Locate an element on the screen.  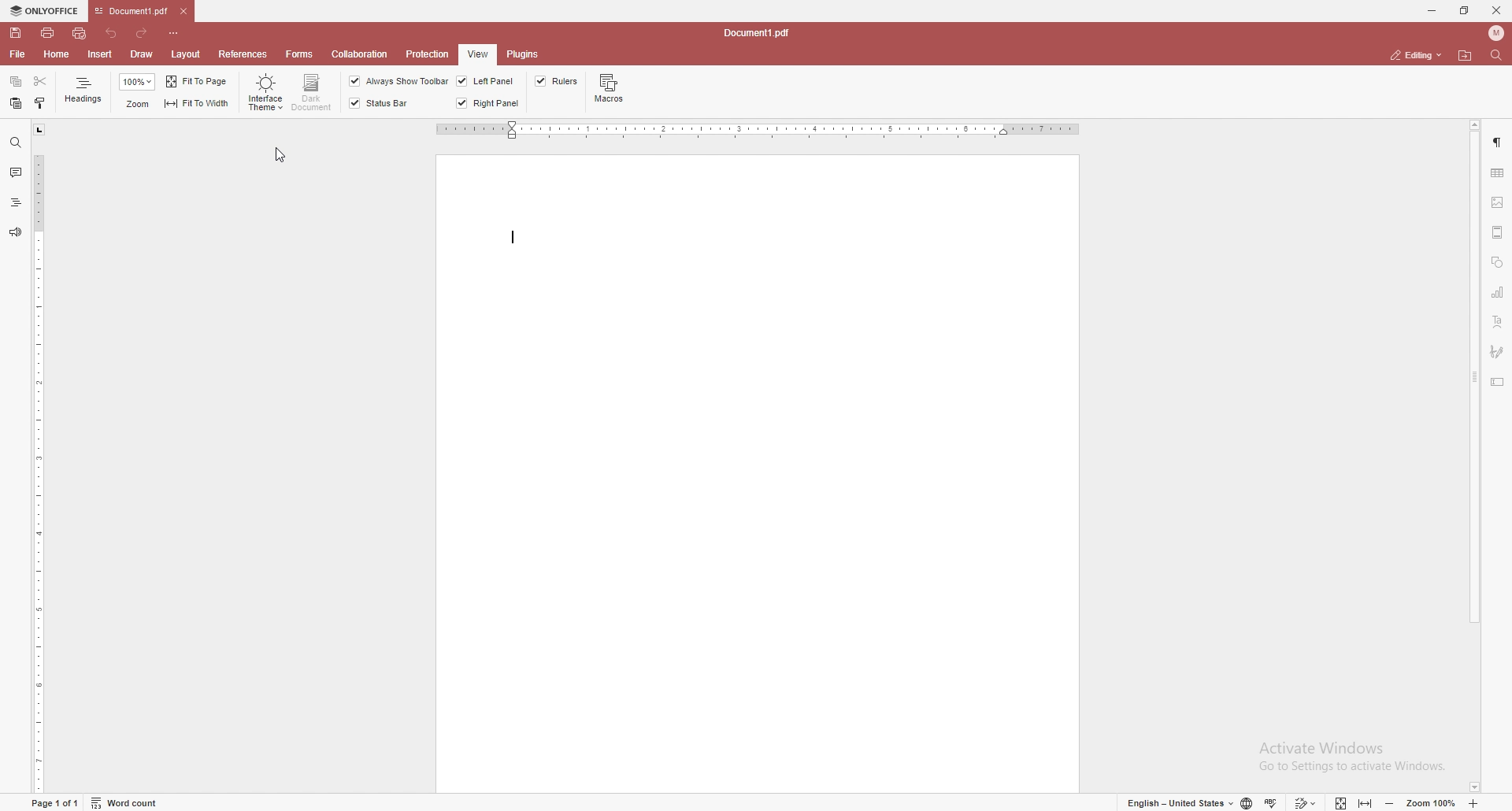
protection is located at coordinates (428, 54).